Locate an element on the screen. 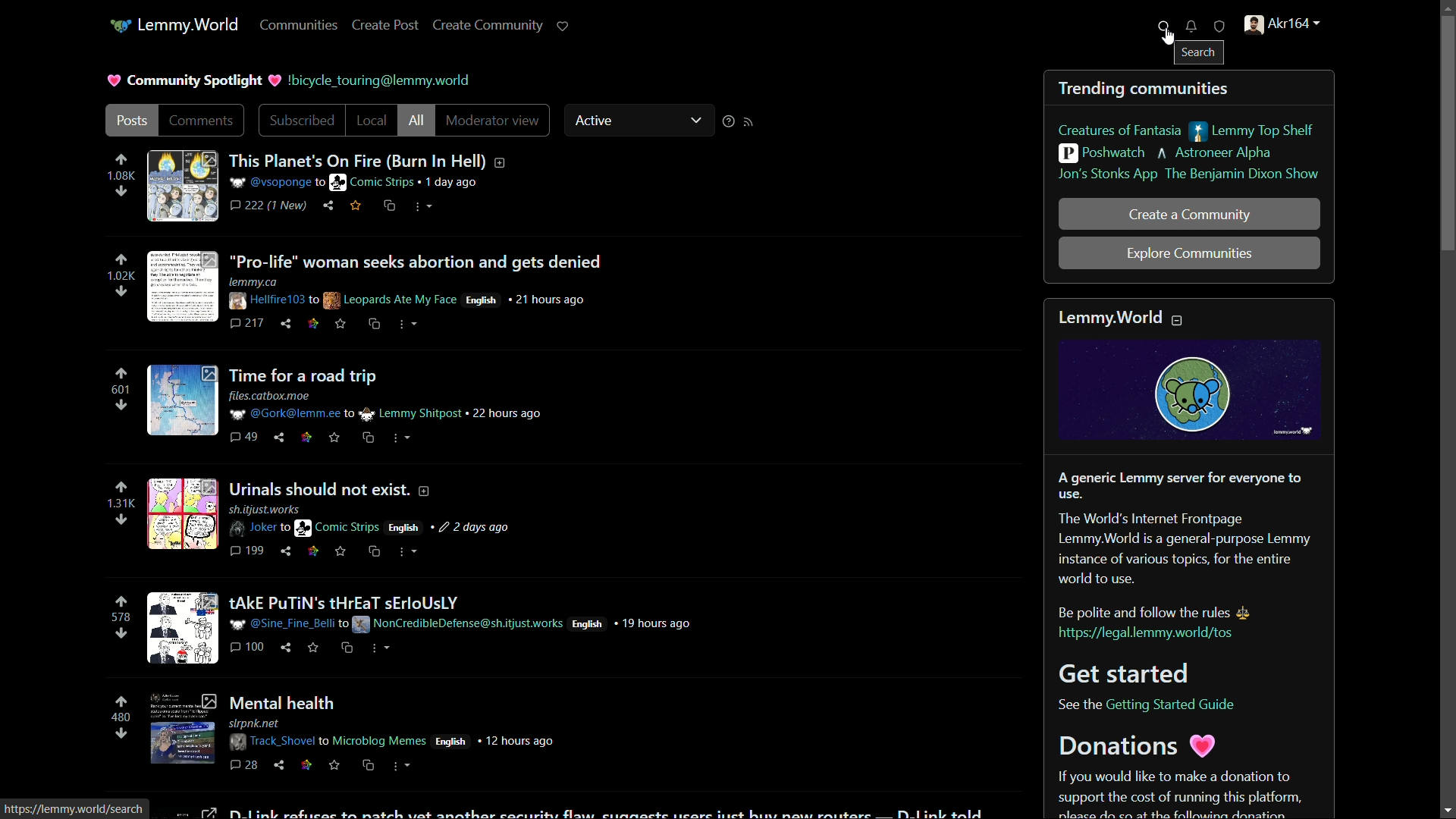 The height and width of the screenshot is (819, 1456). dropdown is located at coordinates (695, 121).